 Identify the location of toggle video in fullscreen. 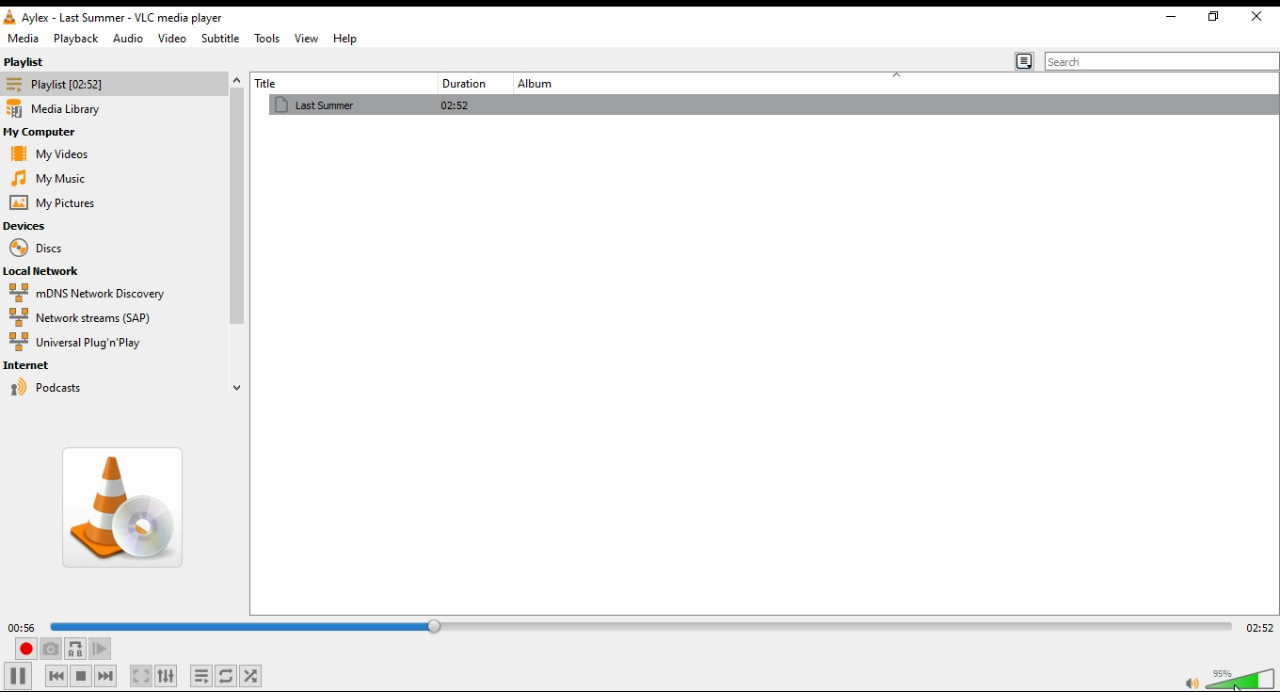
(142, 676).